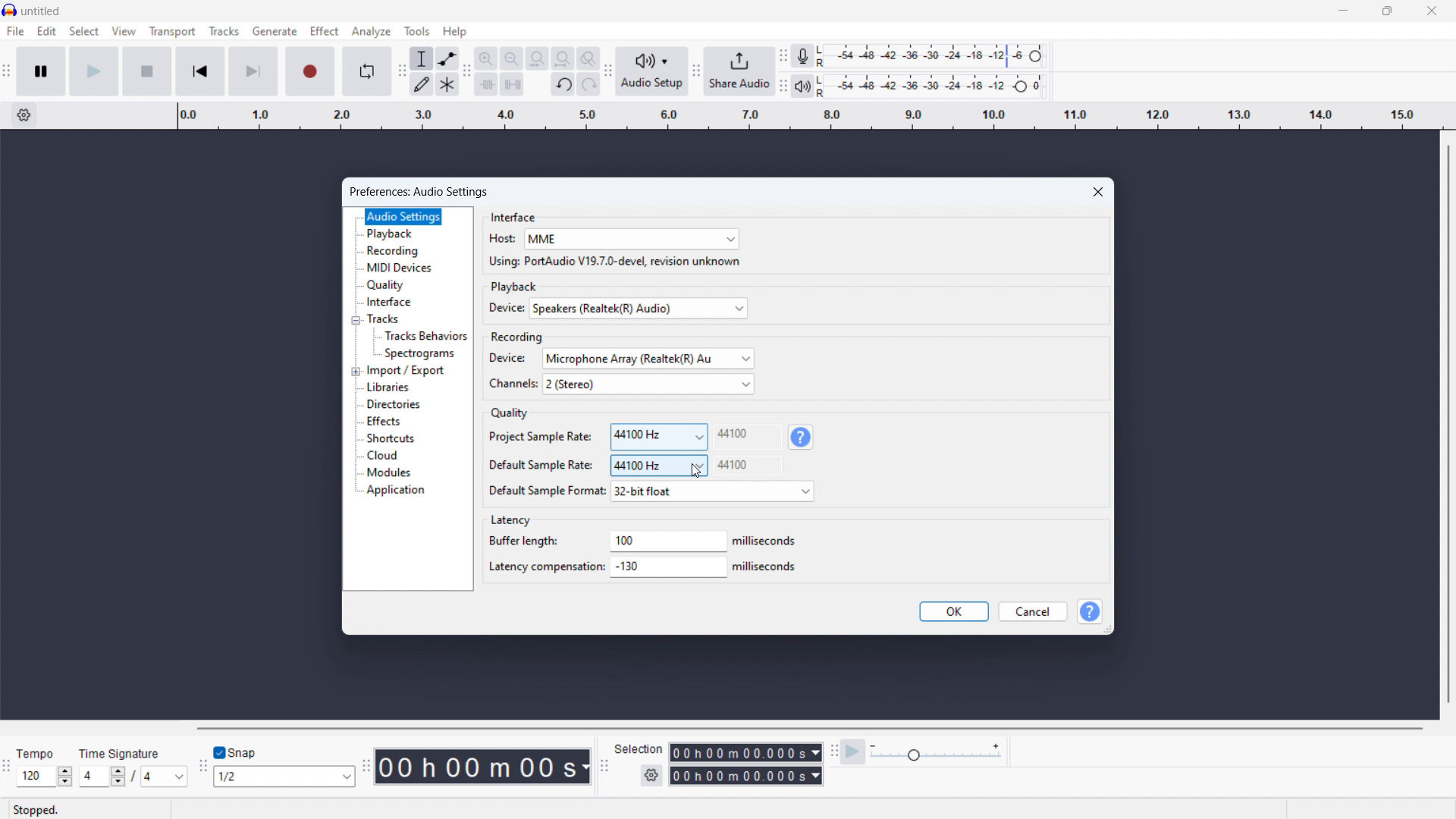 This screenshot has width=1456, height=819. I want to click on midi devices, so click(400, 268).